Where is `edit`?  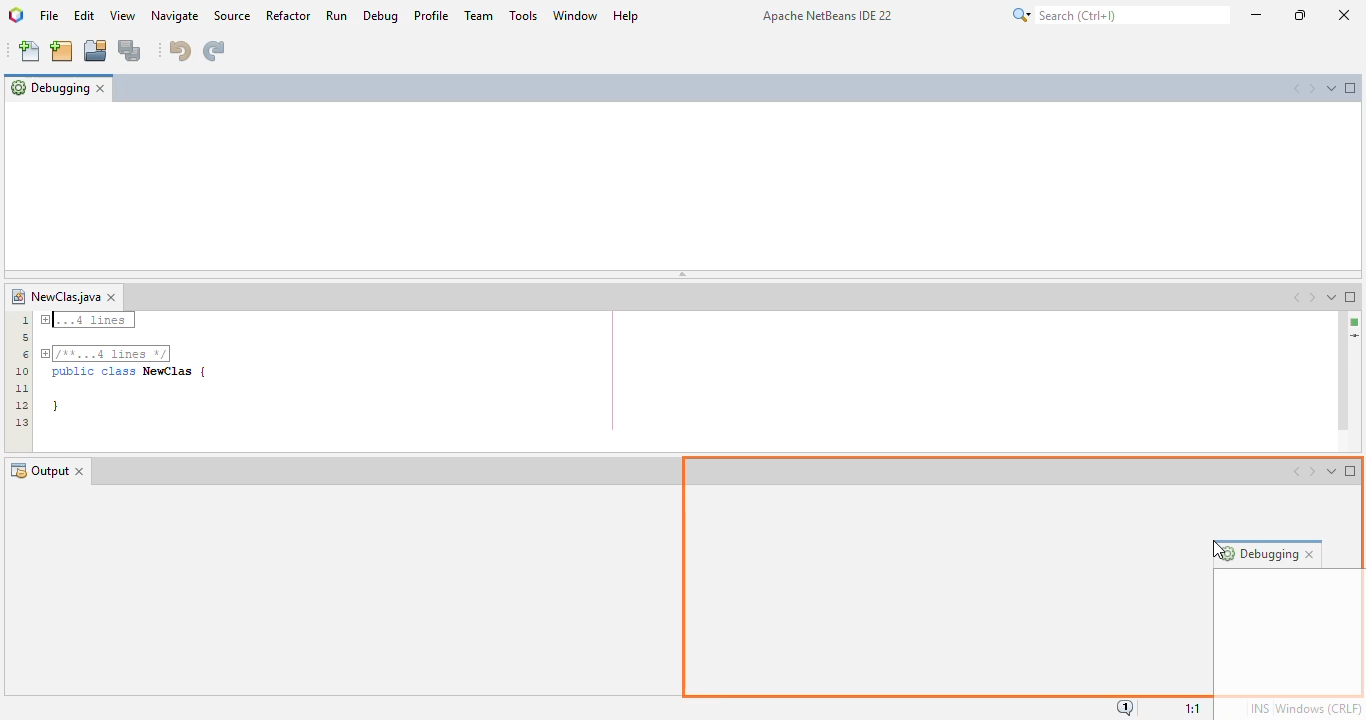
edit is located at coordinates (83, 15).